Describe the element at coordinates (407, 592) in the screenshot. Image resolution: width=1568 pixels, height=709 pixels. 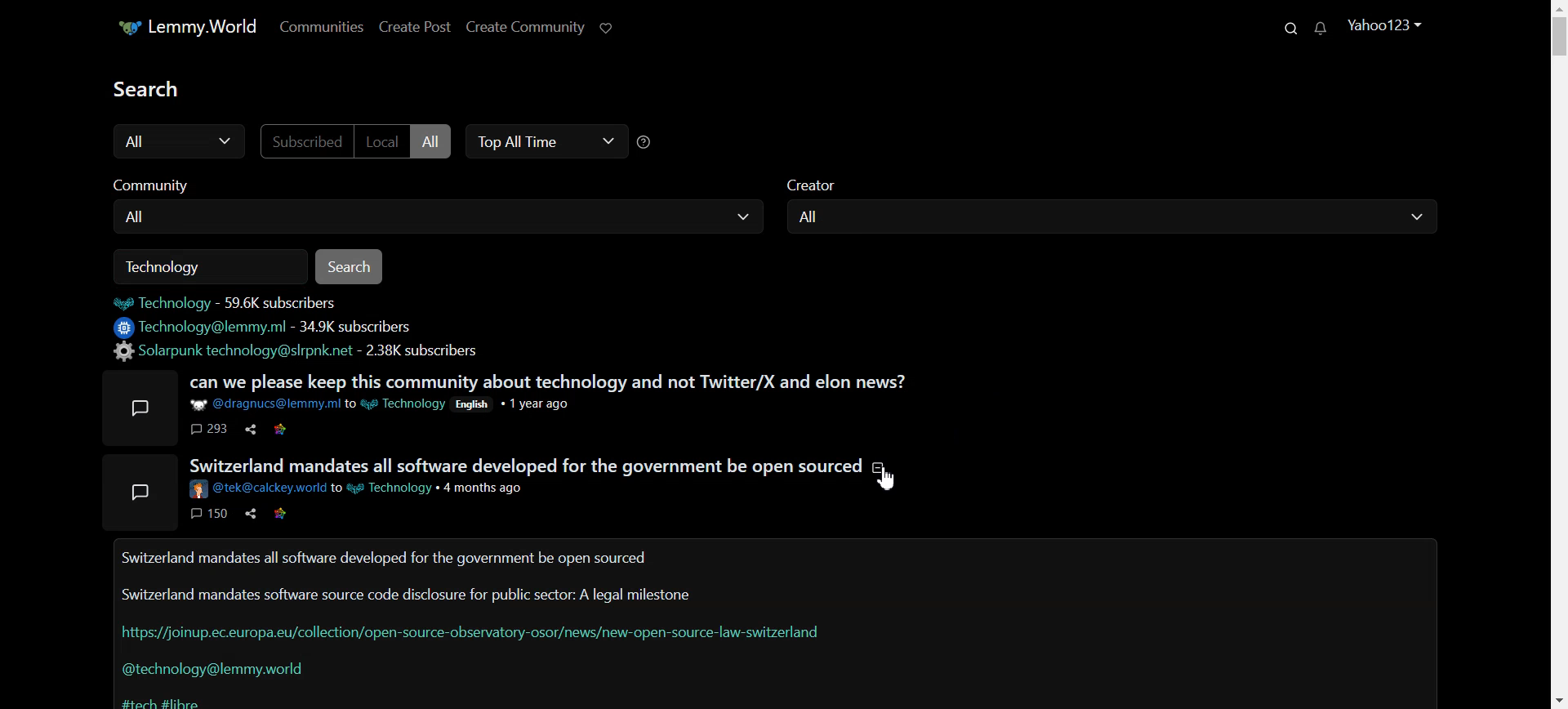
I see `Switzerland mandates software source code disclosure for public sector: A legal milestone` at that location.